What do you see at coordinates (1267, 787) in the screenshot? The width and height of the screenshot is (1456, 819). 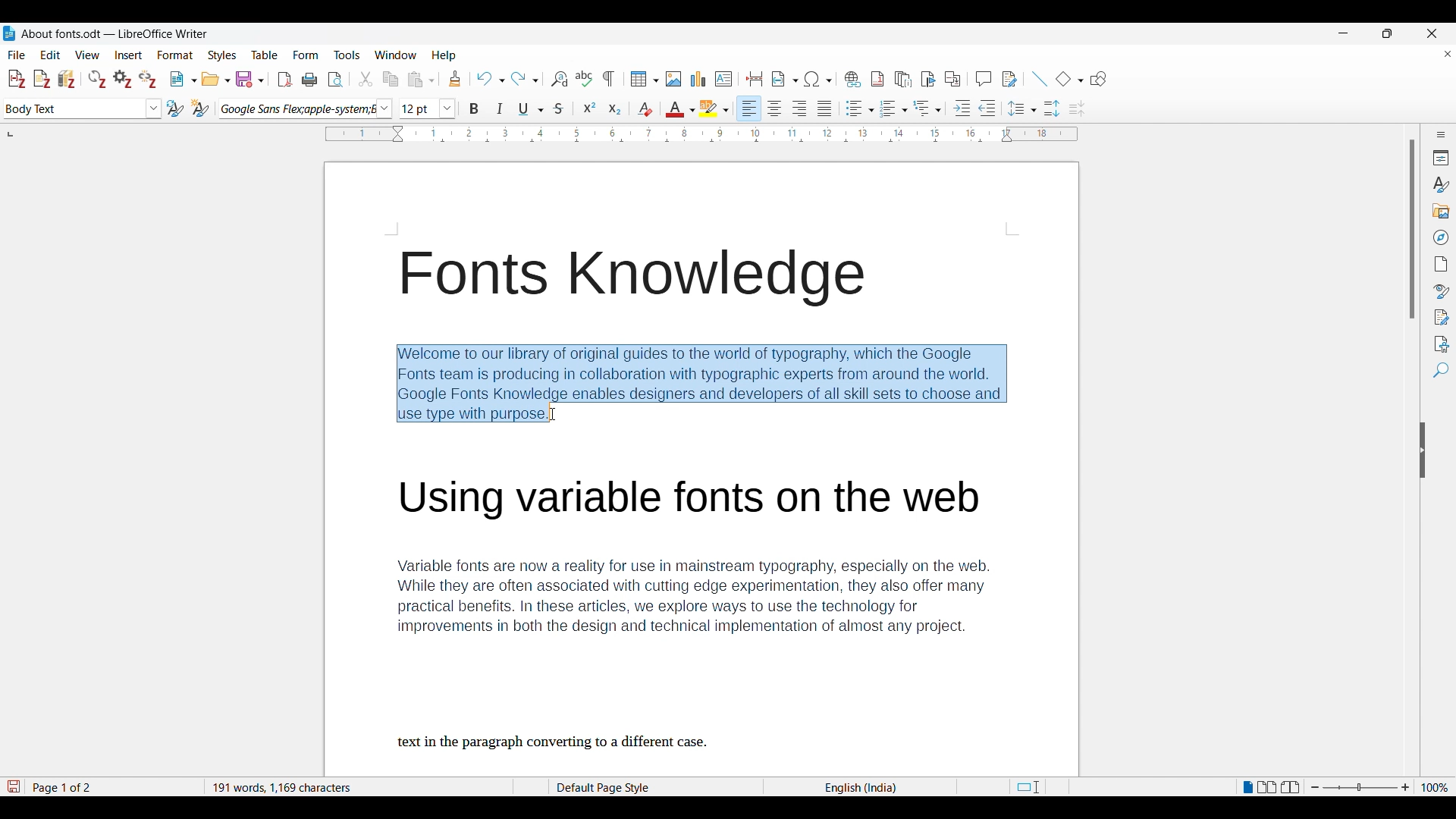 I see `Multiple page view` at bounding box center [1267, 787].